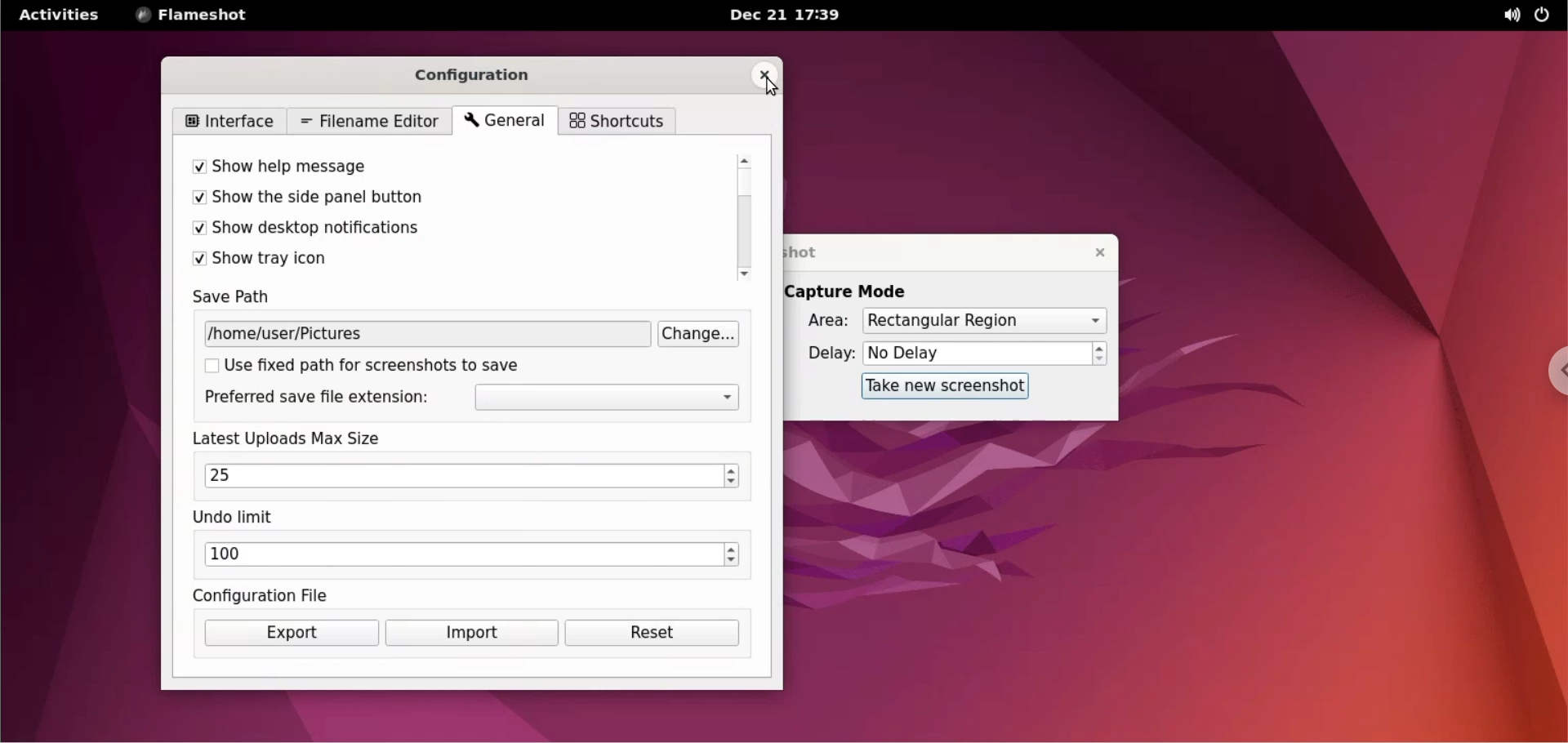 Image resolution: width=1568 pixels, height=743 pixels. I want to click on capture mode, so click(859, 291).